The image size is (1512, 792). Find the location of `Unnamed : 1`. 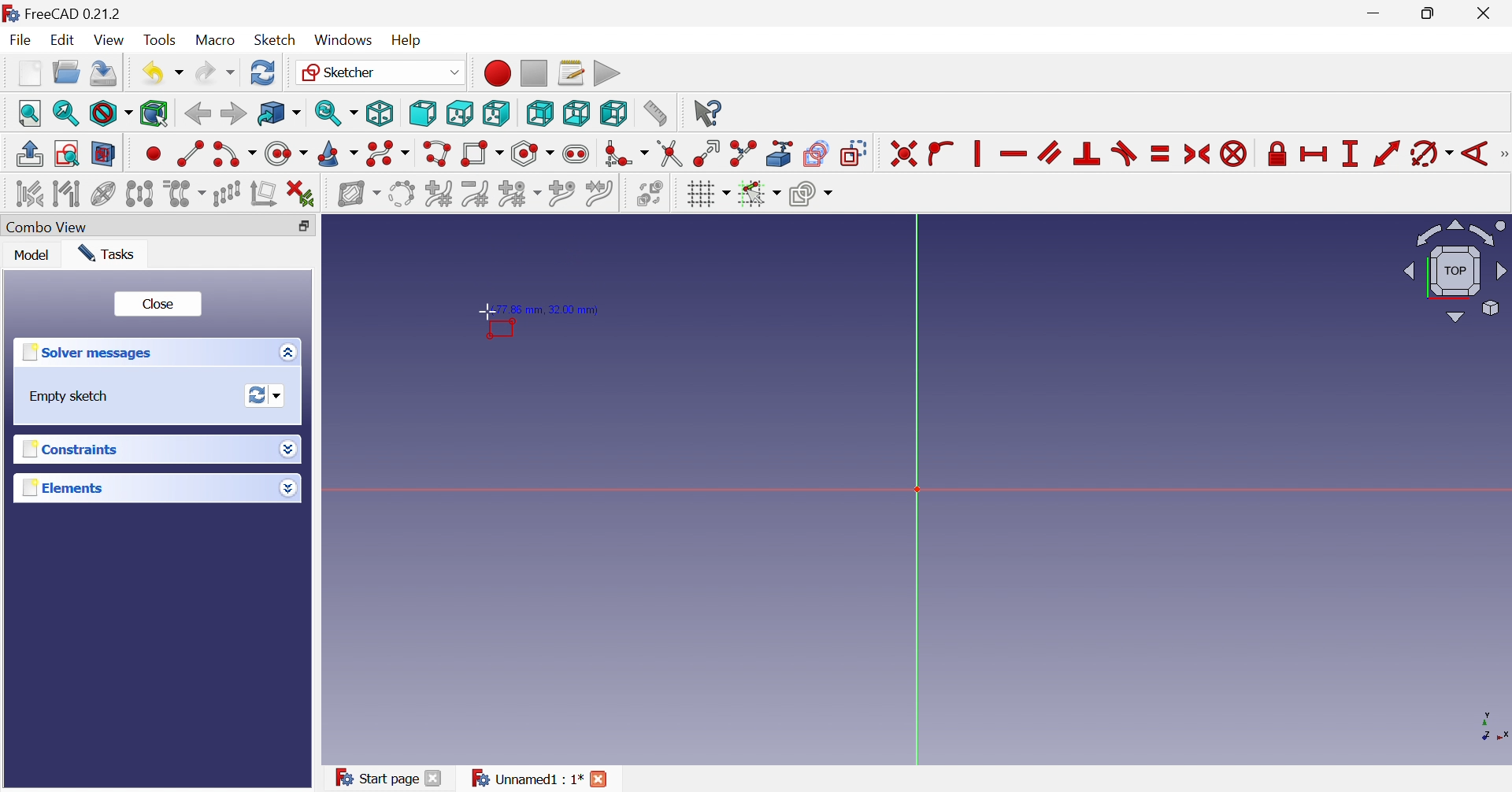

Unnamed : 1 is located at coordinates (524, 779).